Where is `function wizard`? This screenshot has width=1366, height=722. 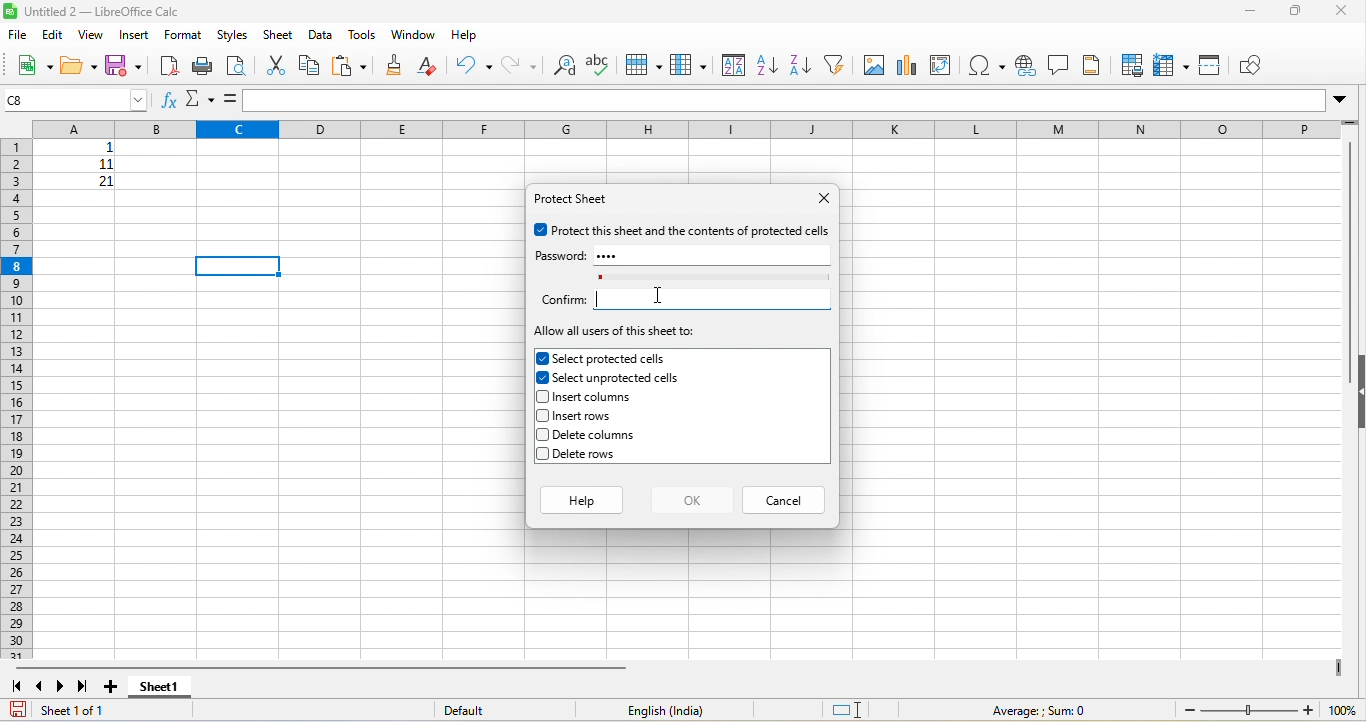 function wizard is located at coordinates (169, 102).